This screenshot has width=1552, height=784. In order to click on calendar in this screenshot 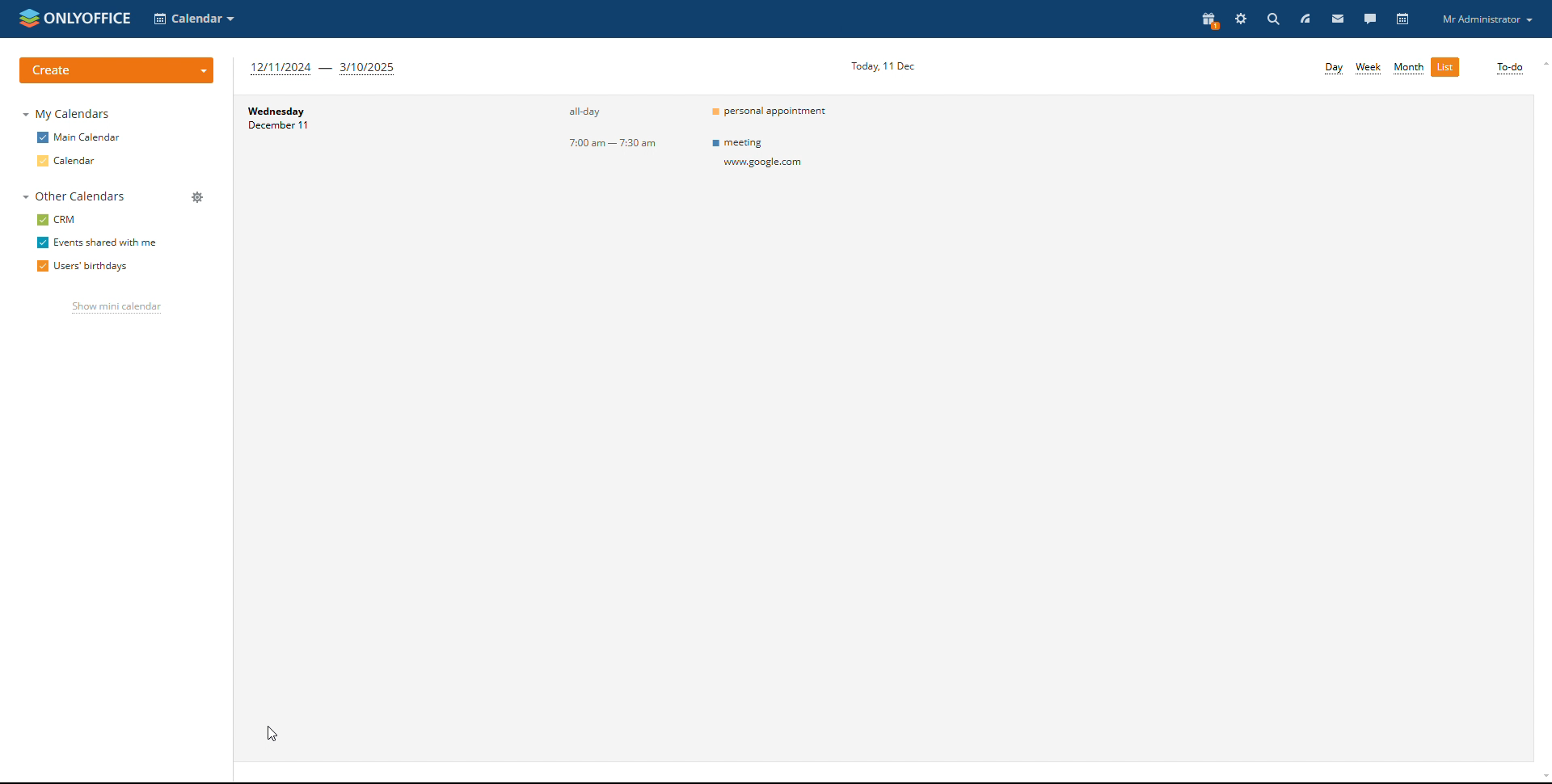, I will do `click(69, 162)`.